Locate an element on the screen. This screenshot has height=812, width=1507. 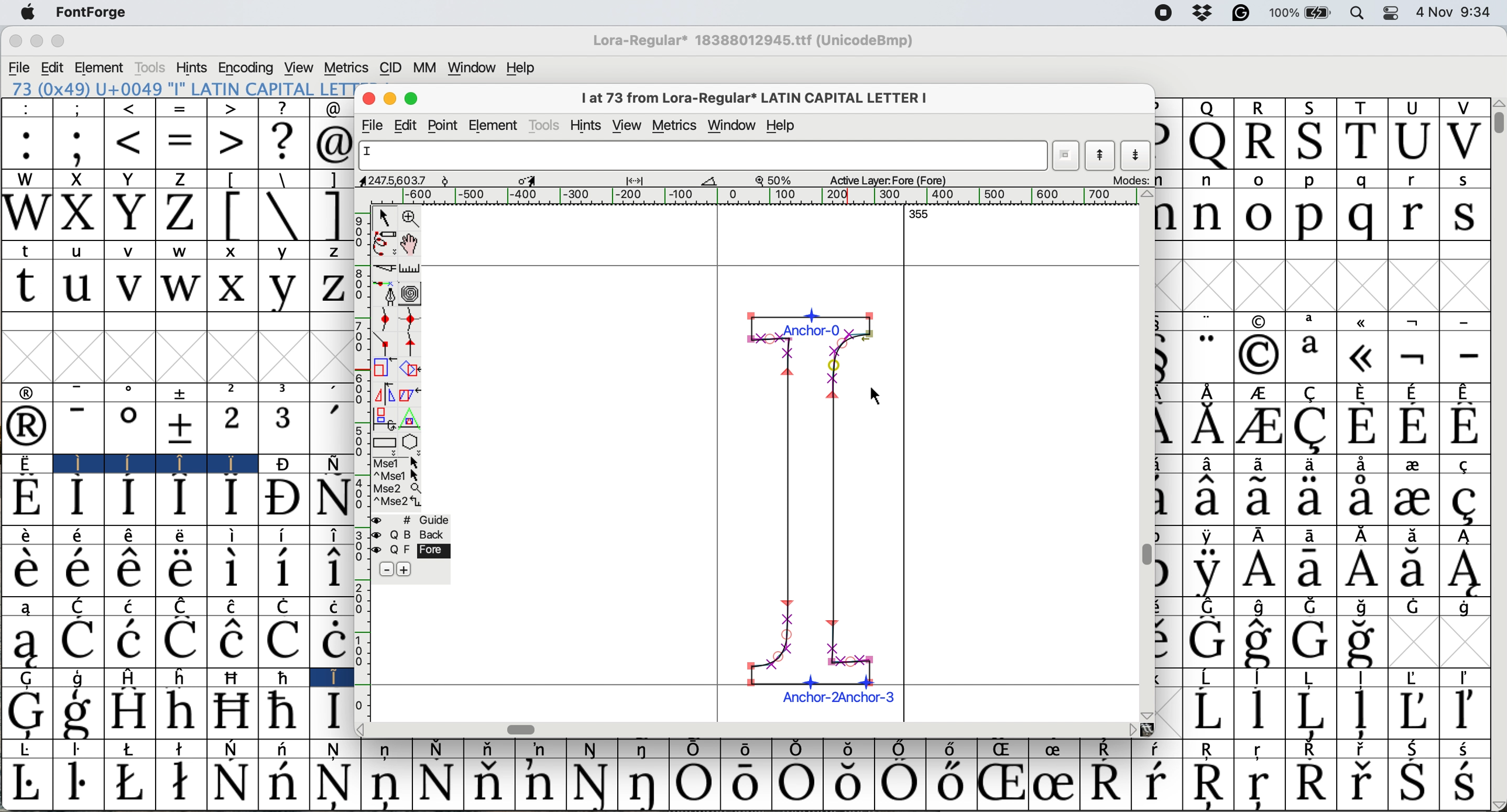
Symbol is located at coordinates (1212, 749).